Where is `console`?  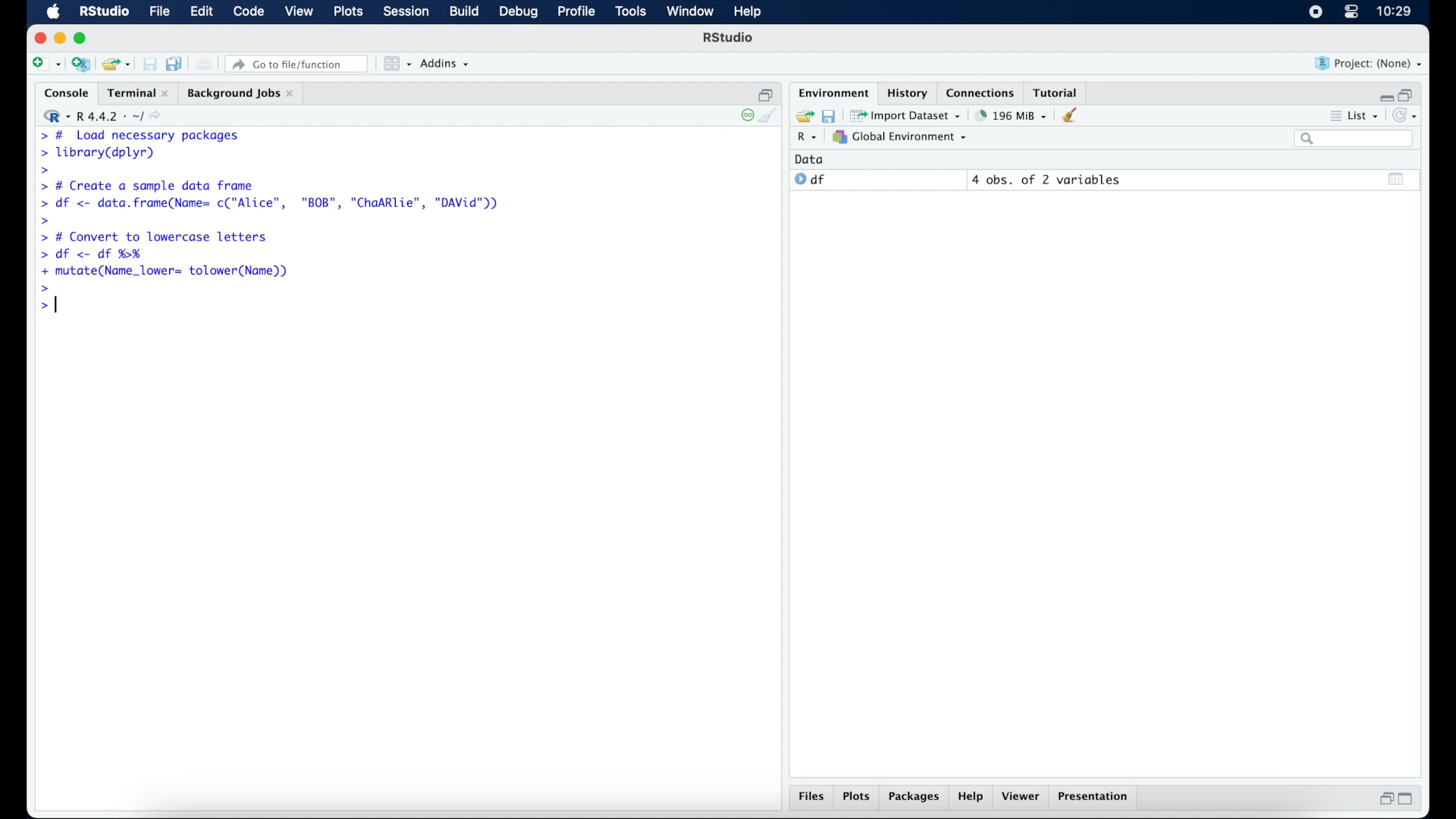
console is located at coordinates (63, 93).